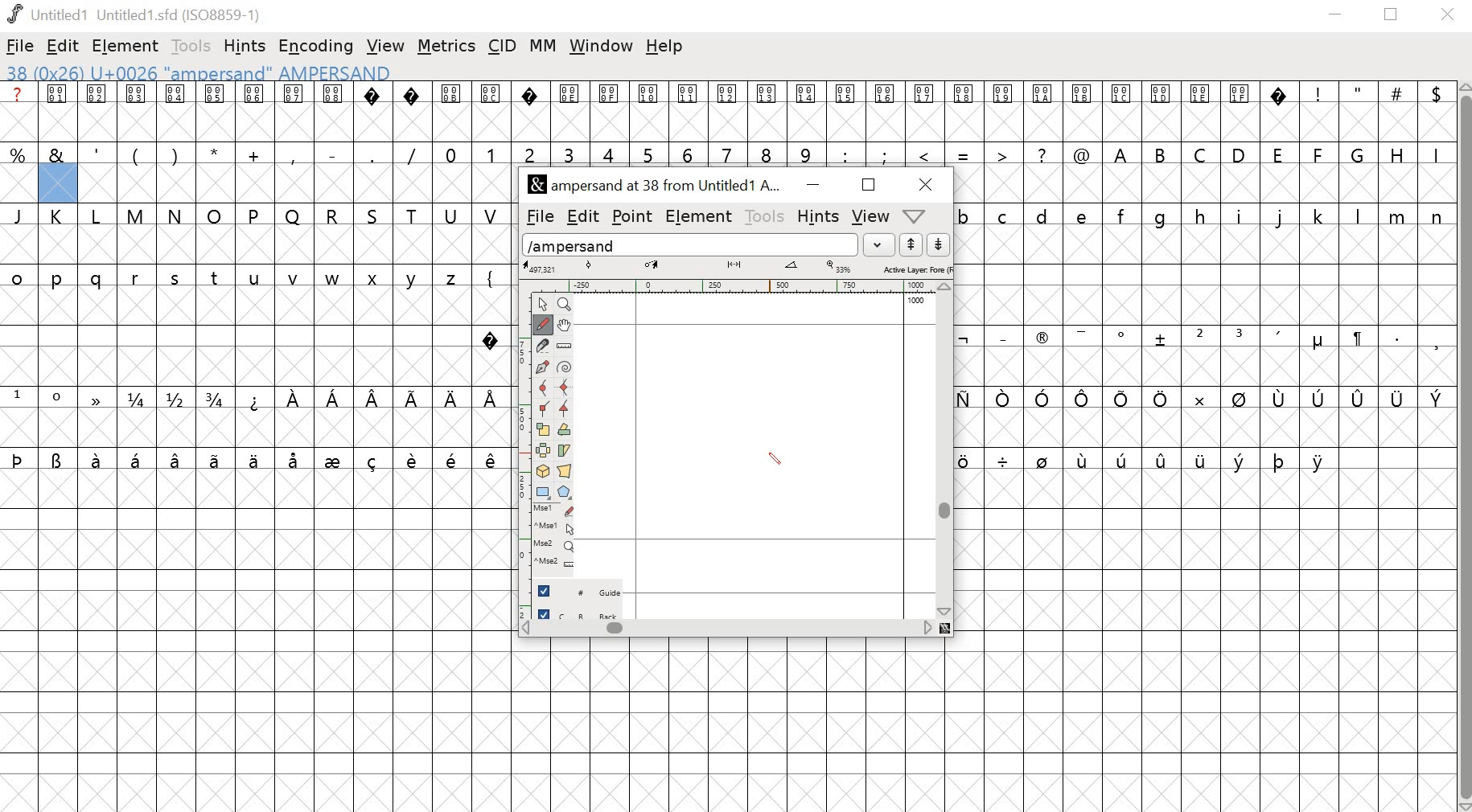 The width and height of the screenshot is (1472, 812). I want to click on (, so click(134, 155).